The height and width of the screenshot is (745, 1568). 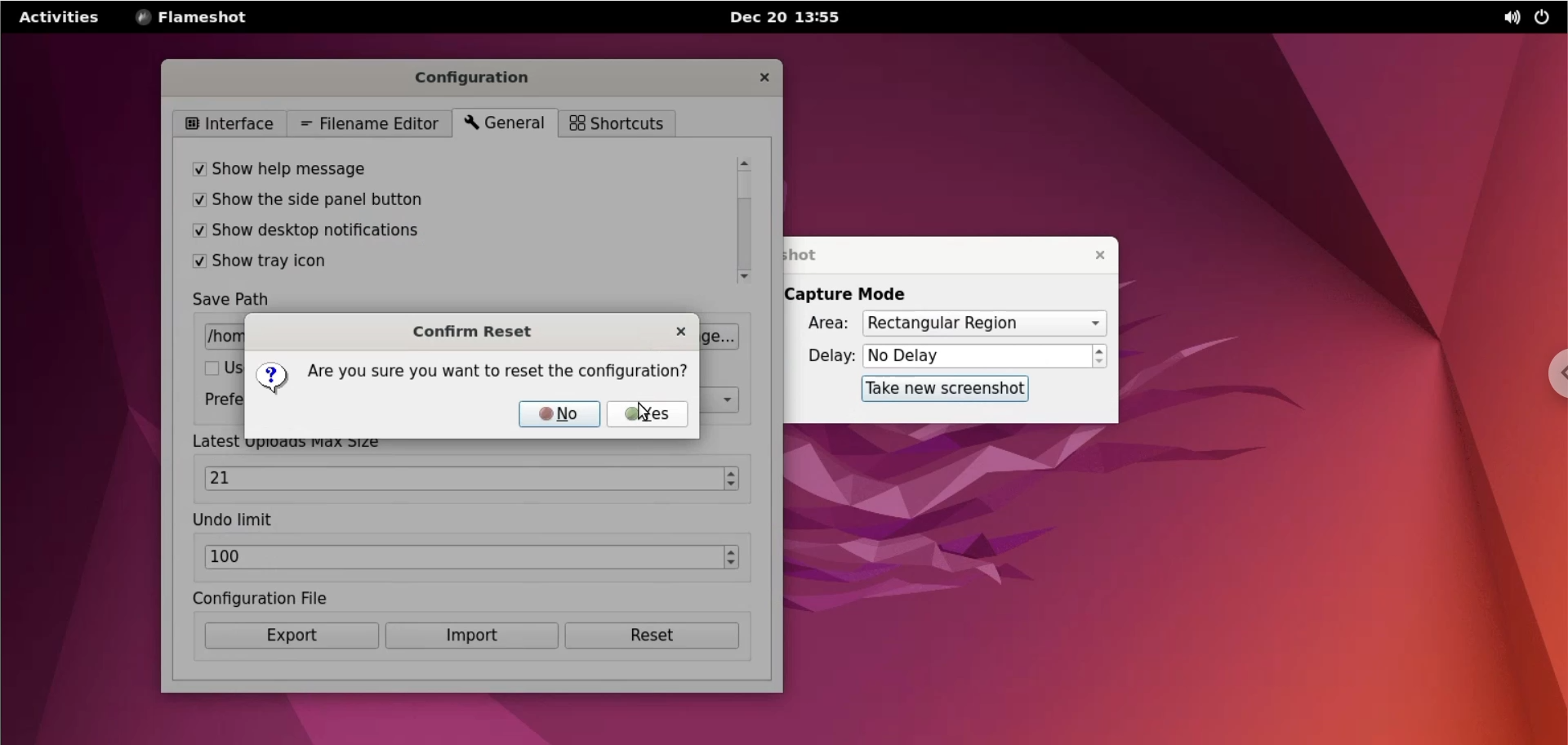 I want to click on capture mode area options, so click(x=983, y=324).